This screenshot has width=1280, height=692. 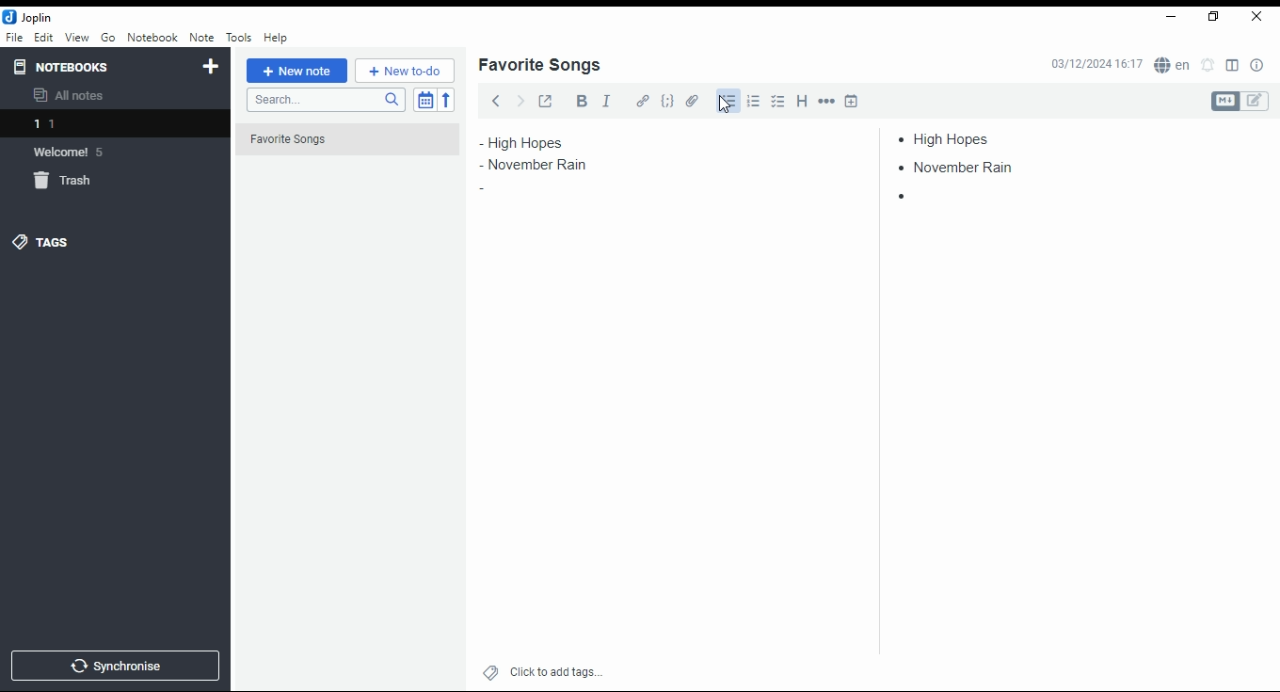 What do you see at coordinates (1216, 17) in the screenshot?
I see `restore` at bounding box center [1216, 17].